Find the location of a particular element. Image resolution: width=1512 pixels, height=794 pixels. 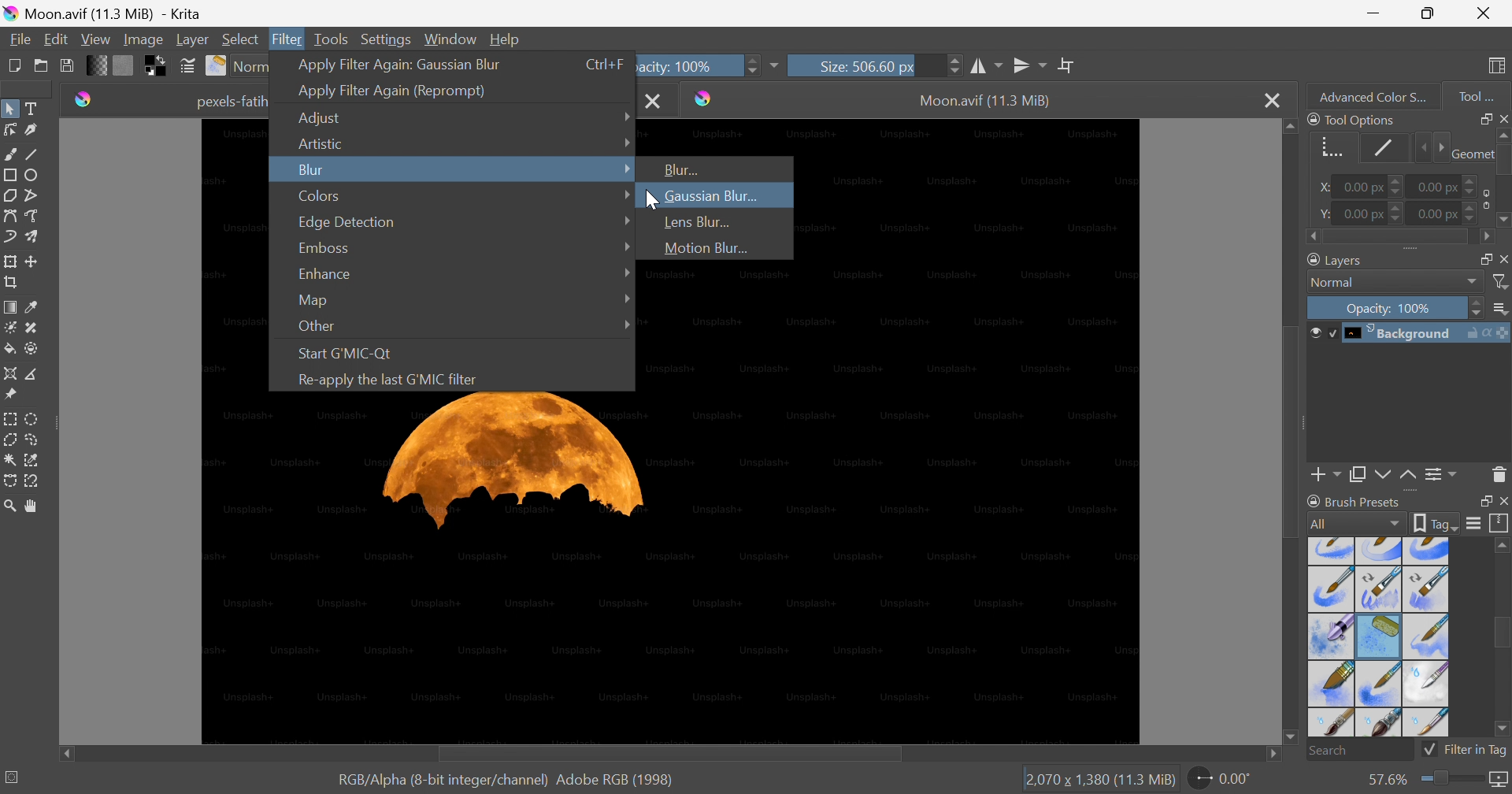

Drop Down is located at coordinates (628, 143).